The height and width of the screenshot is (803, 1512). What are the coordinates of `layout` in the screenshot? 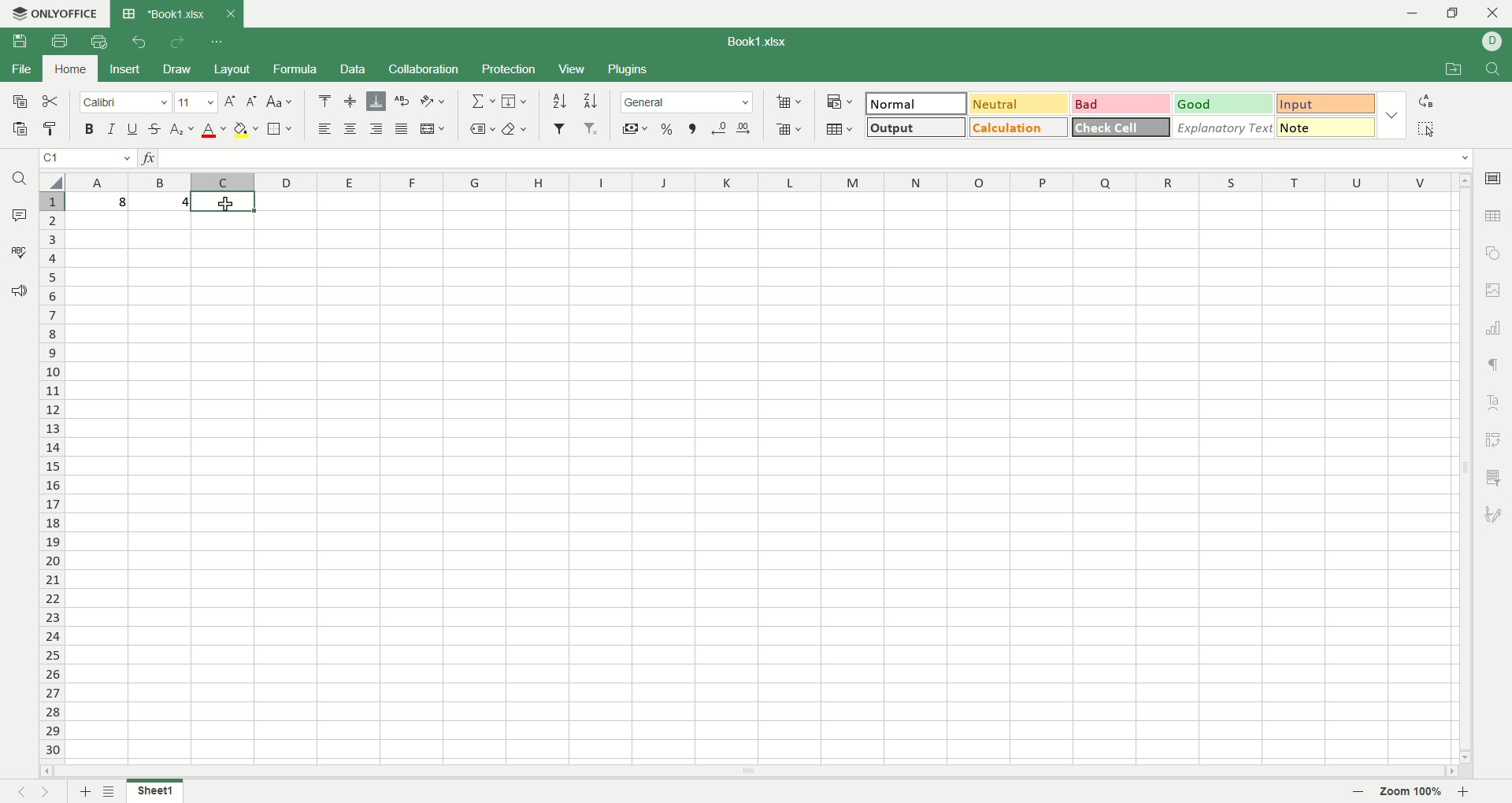 It's located at (232, 69).